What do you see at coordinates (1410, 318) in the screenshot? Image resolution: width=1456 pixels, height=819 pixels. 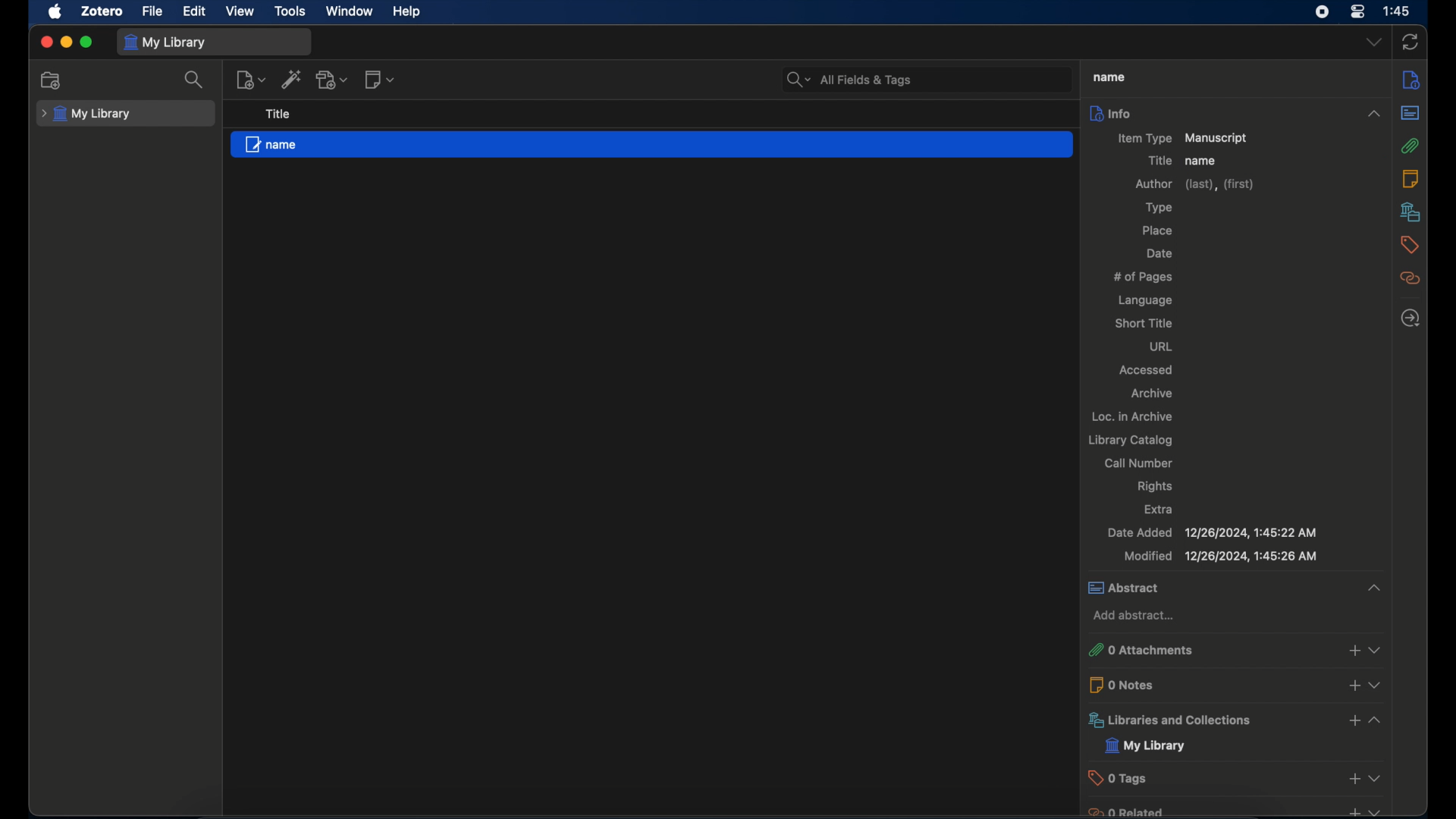 I see `locate` at bounding box center [1410, 318].